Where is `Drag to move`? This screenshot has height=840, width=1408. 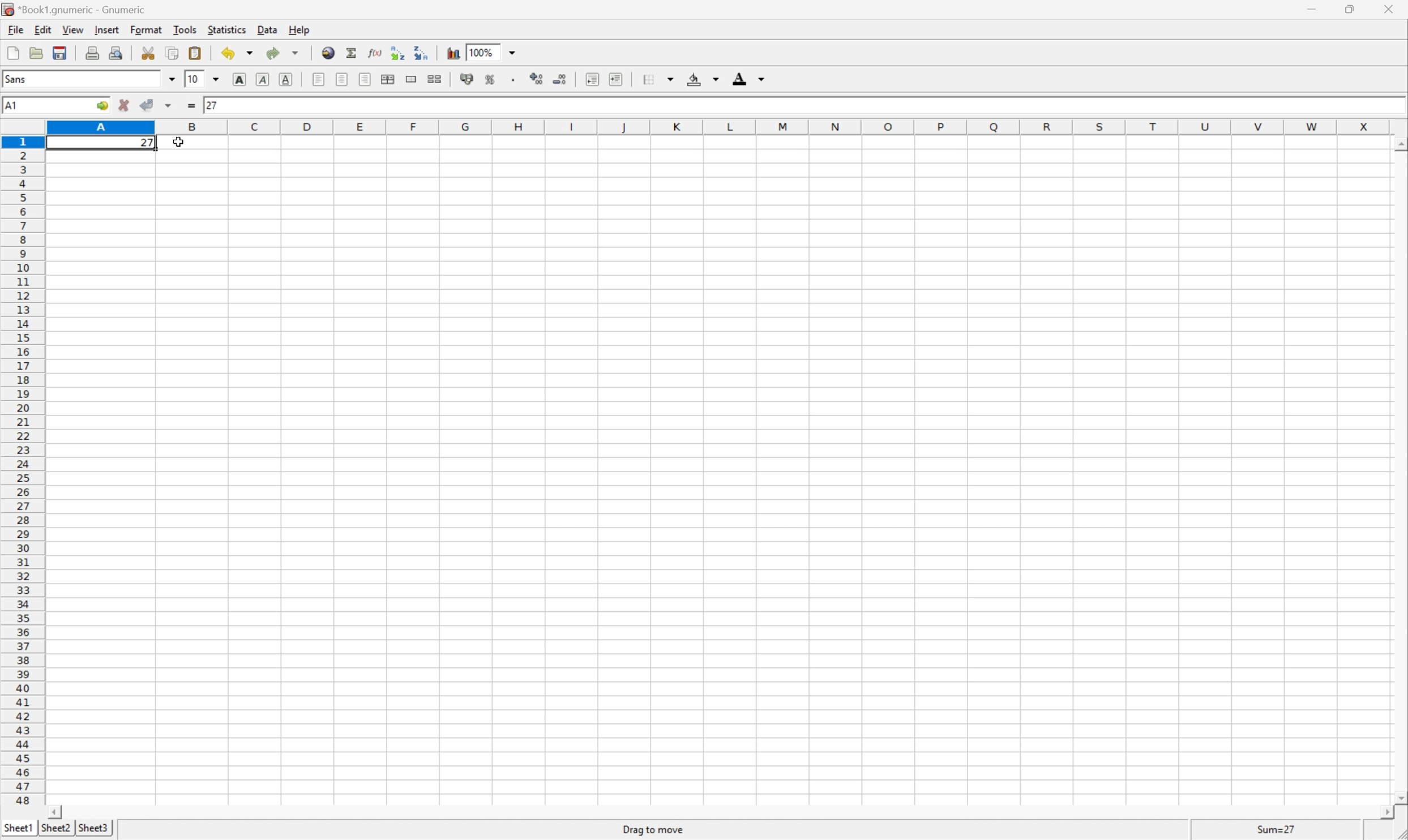 Drag to move is located at coordinates (654, 829).